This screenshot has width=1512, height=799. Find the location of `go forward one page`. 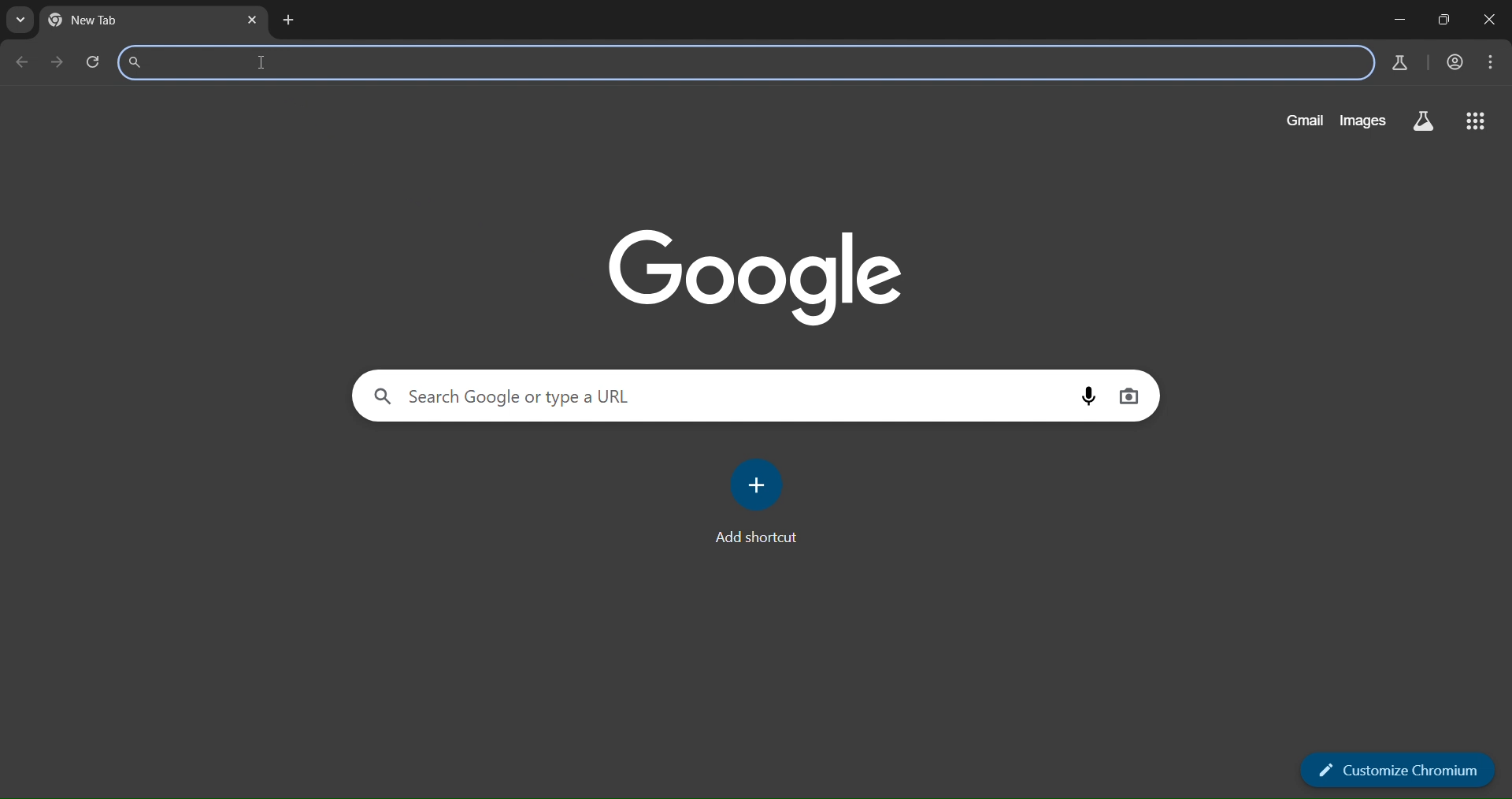

go forward one page is located at coordinates (55, 62).